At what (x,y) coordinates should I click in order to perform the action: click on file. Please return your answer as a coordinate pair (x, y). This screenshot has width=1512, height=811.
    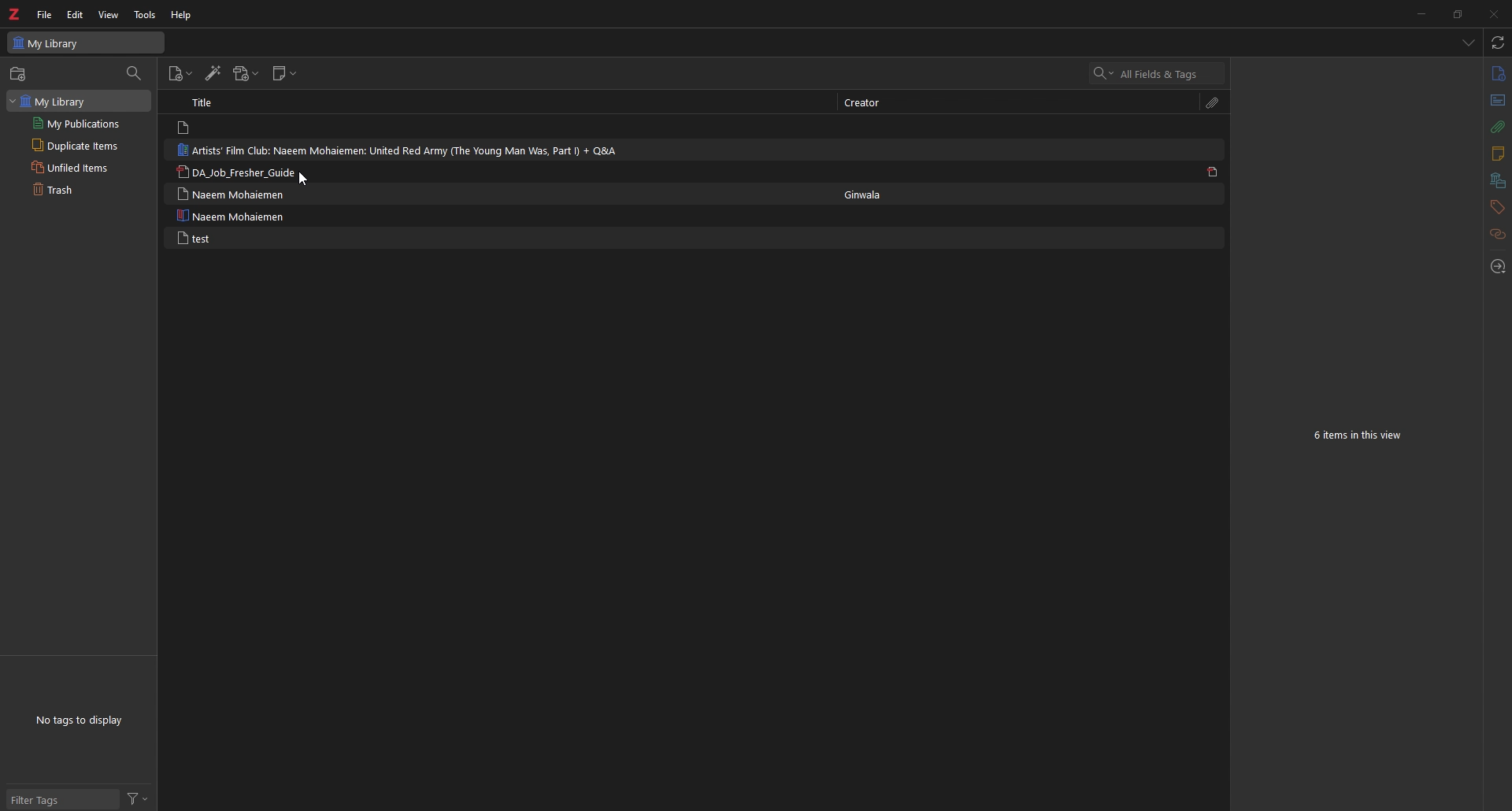
    Looking at the image, I should click on (46, 15).